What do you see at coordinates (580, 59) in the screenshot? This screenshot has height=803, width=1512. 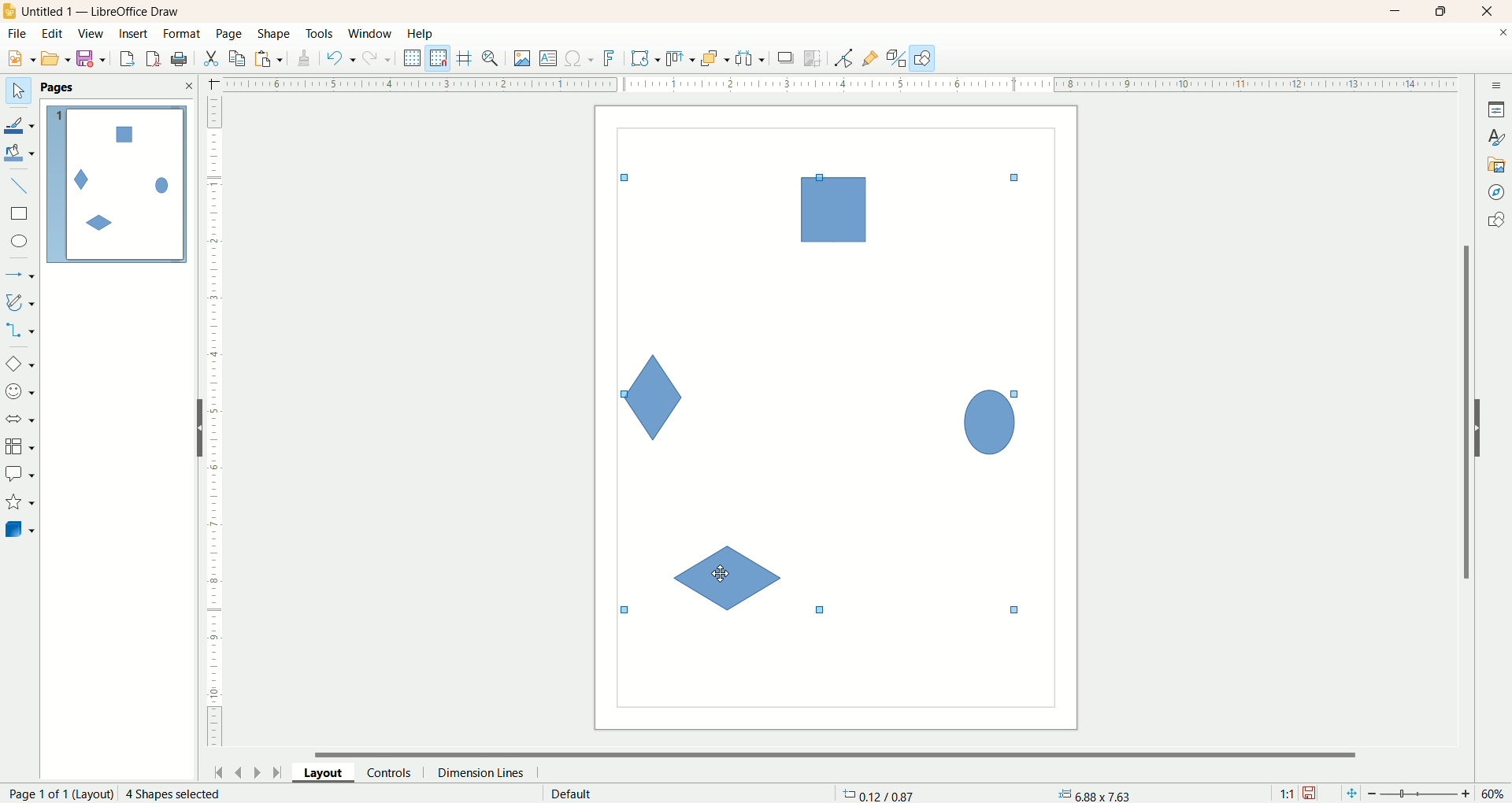 I see `special character` at bounding box center [580, 59].